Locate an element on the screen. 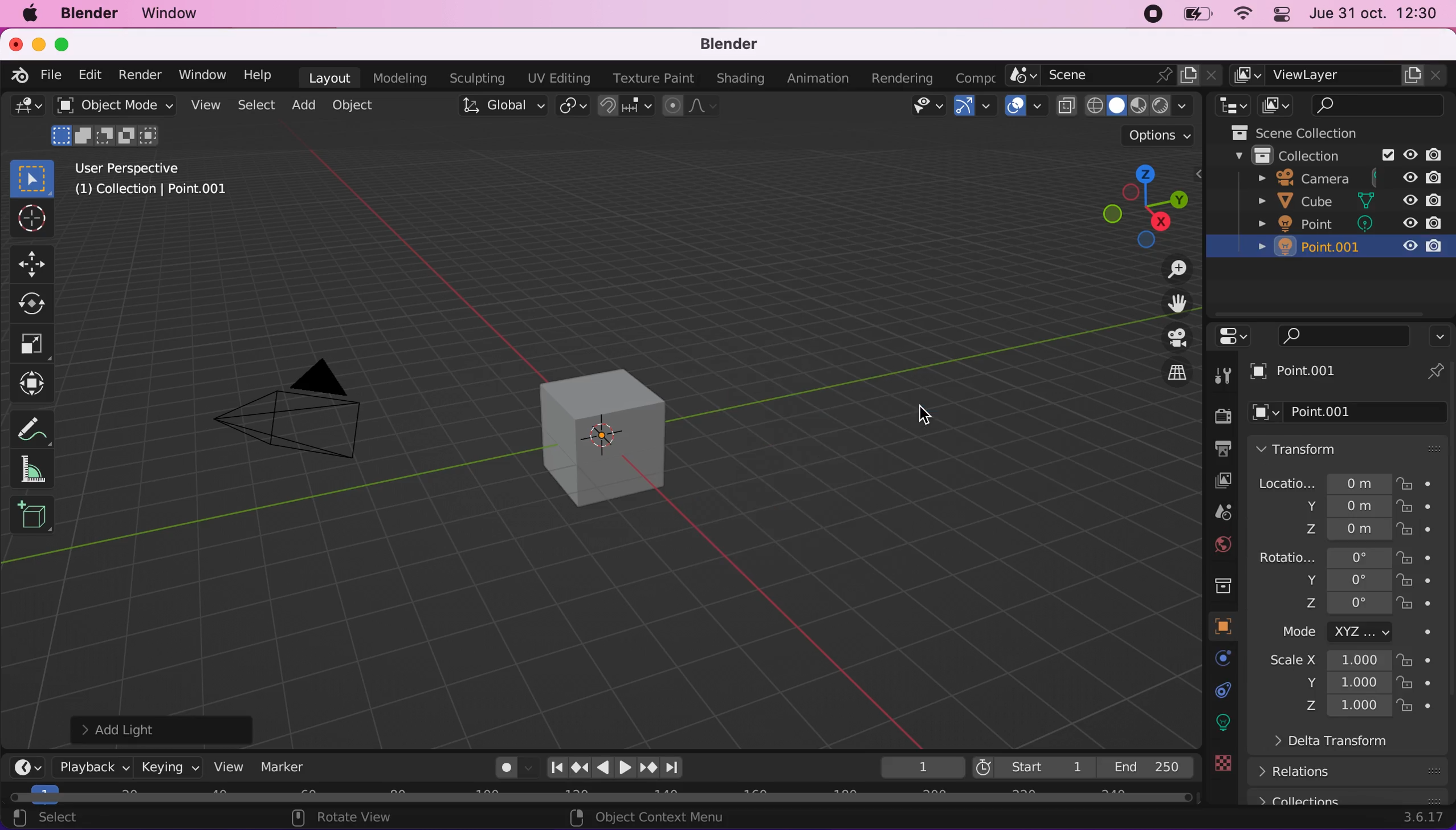  editor type is located at coordinates (26, 109).